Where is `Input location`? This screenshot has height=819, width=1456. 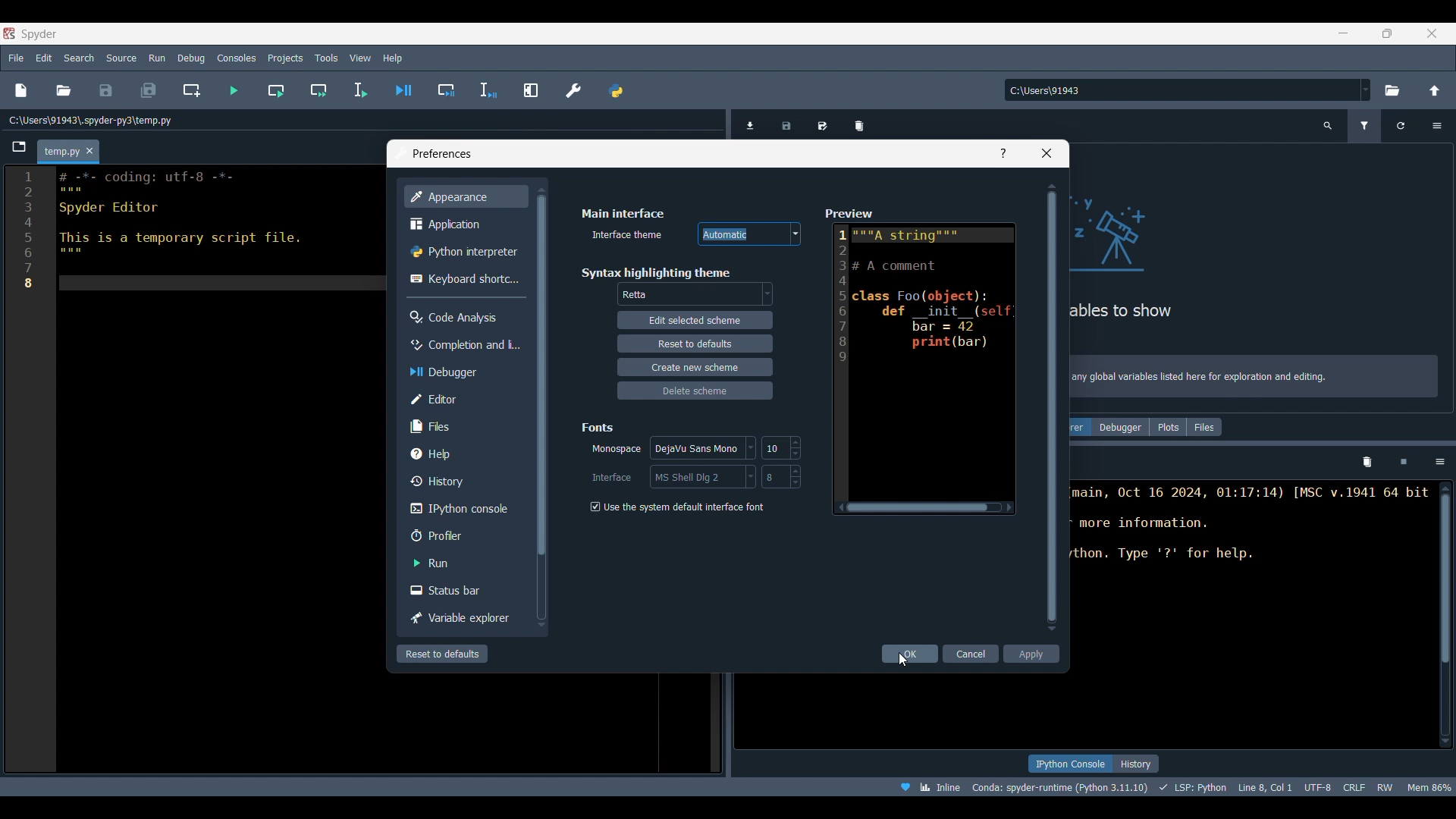 Input location is located at coordinates (1181, 90).